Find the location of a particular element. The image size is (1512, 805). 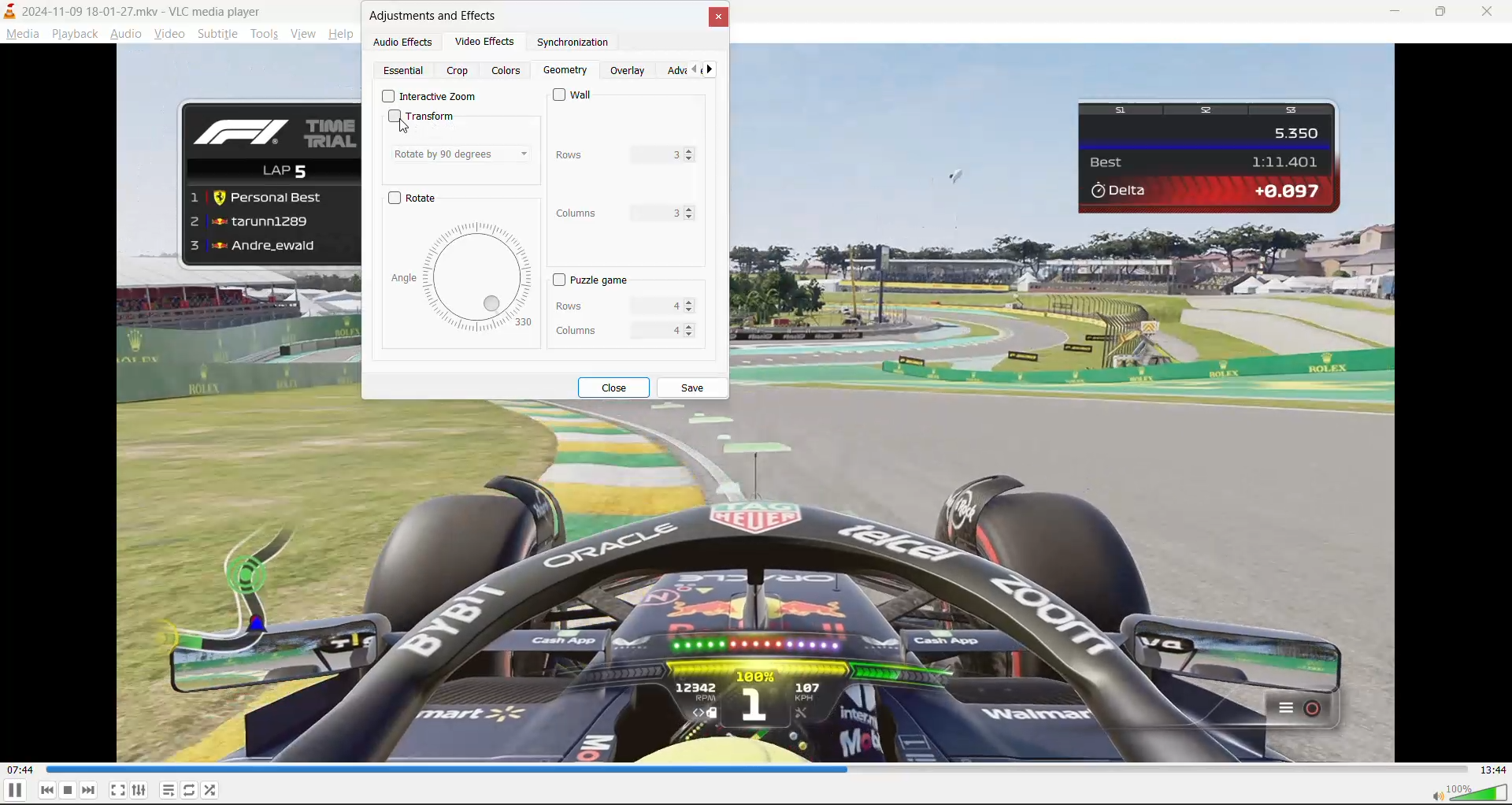

close is located at coordinates (1492, 9).